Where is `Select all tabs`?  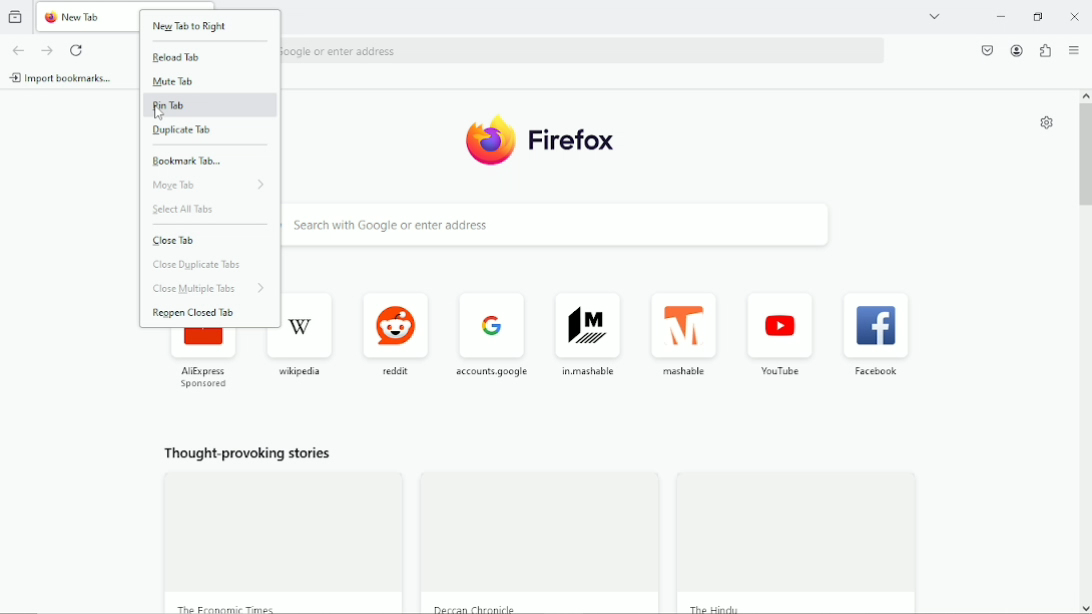
Select all tabs is located at coordinates (191, 211).